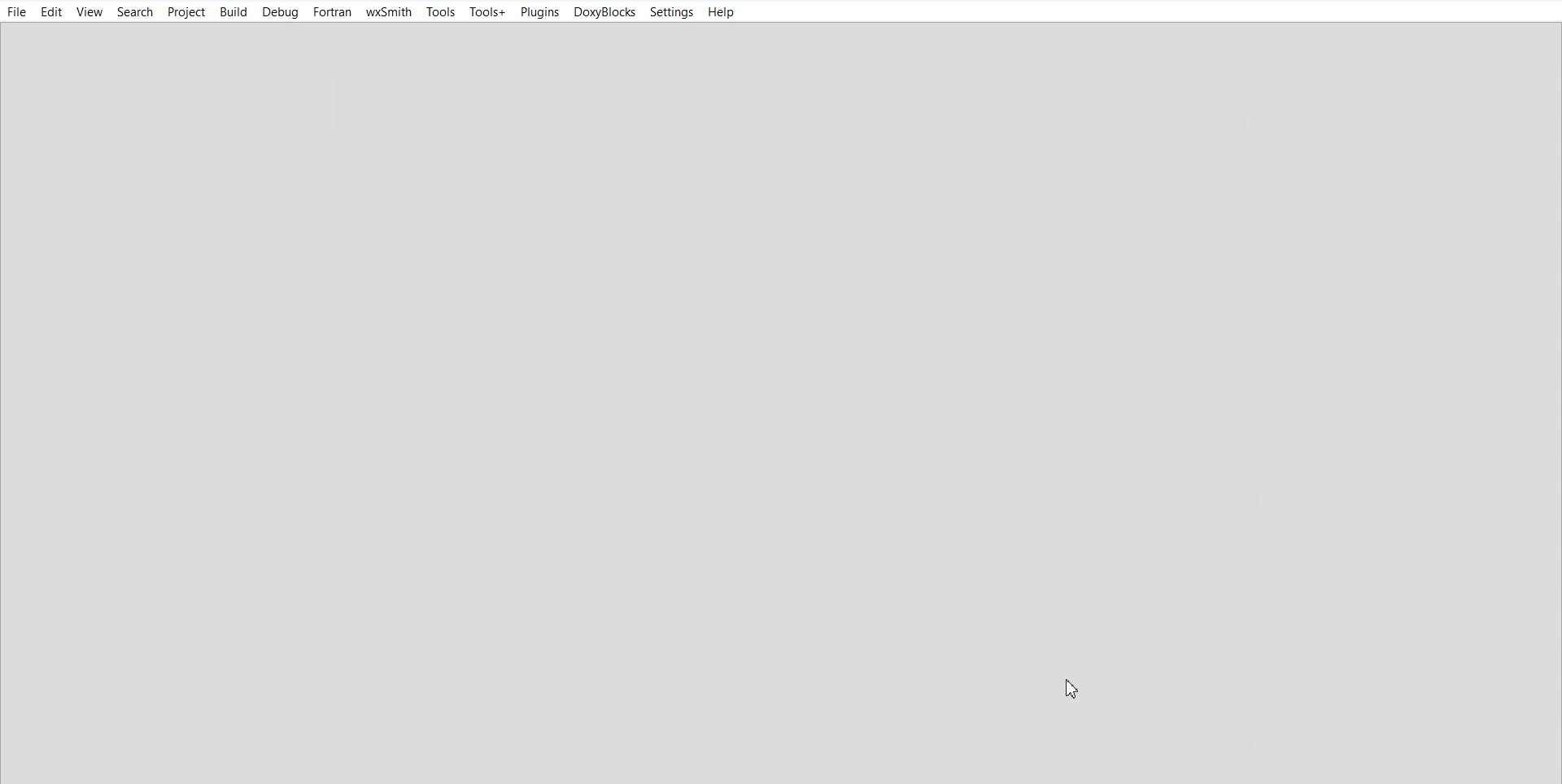 This screenshot has width=1562, height=784. Describe the element at coordinates (1080, 688) in the screenshot. I see `Cursor` at that location.